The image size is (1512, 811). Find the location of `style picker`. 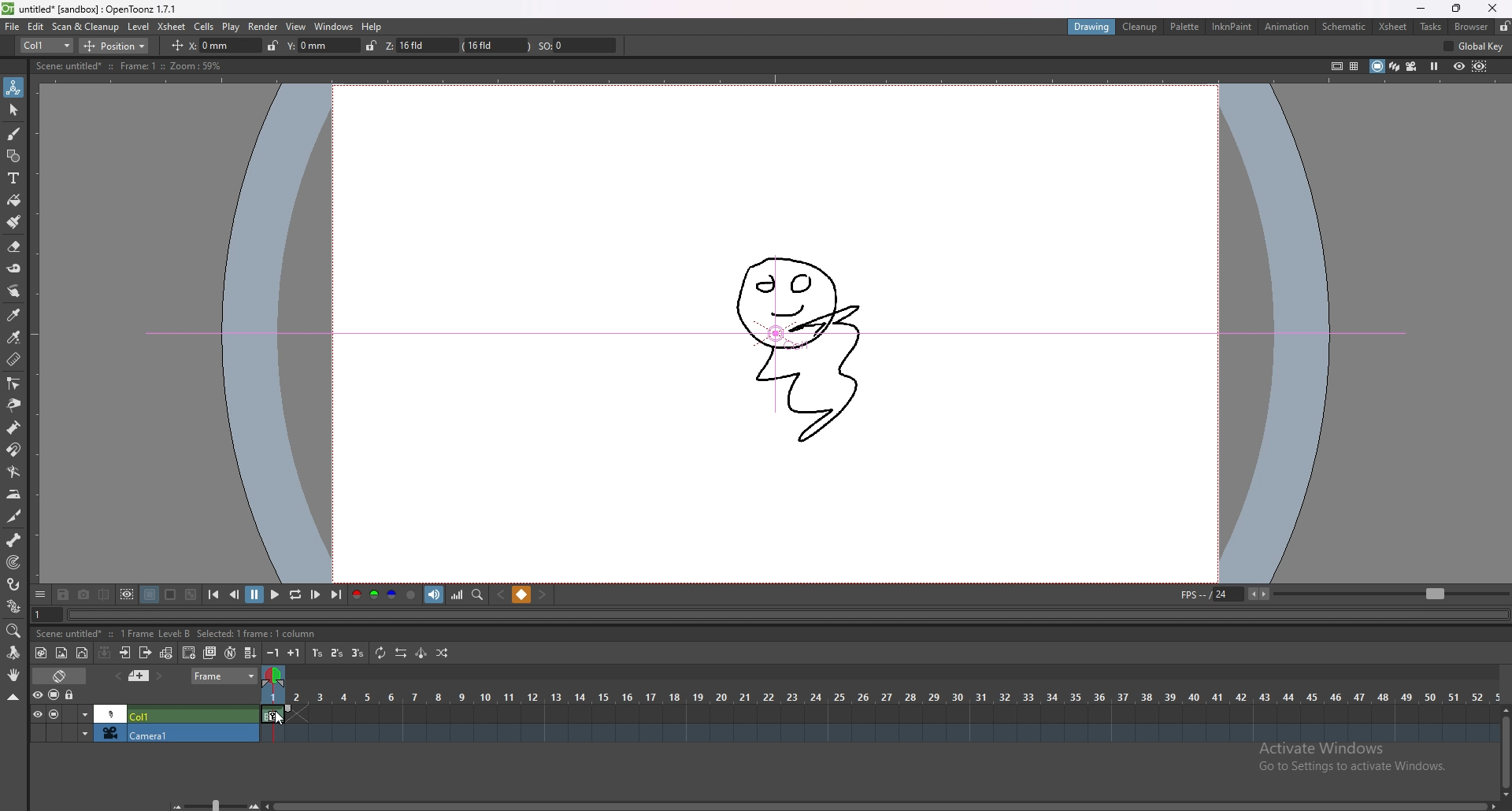

style picker is located at coordinates (14, 314).